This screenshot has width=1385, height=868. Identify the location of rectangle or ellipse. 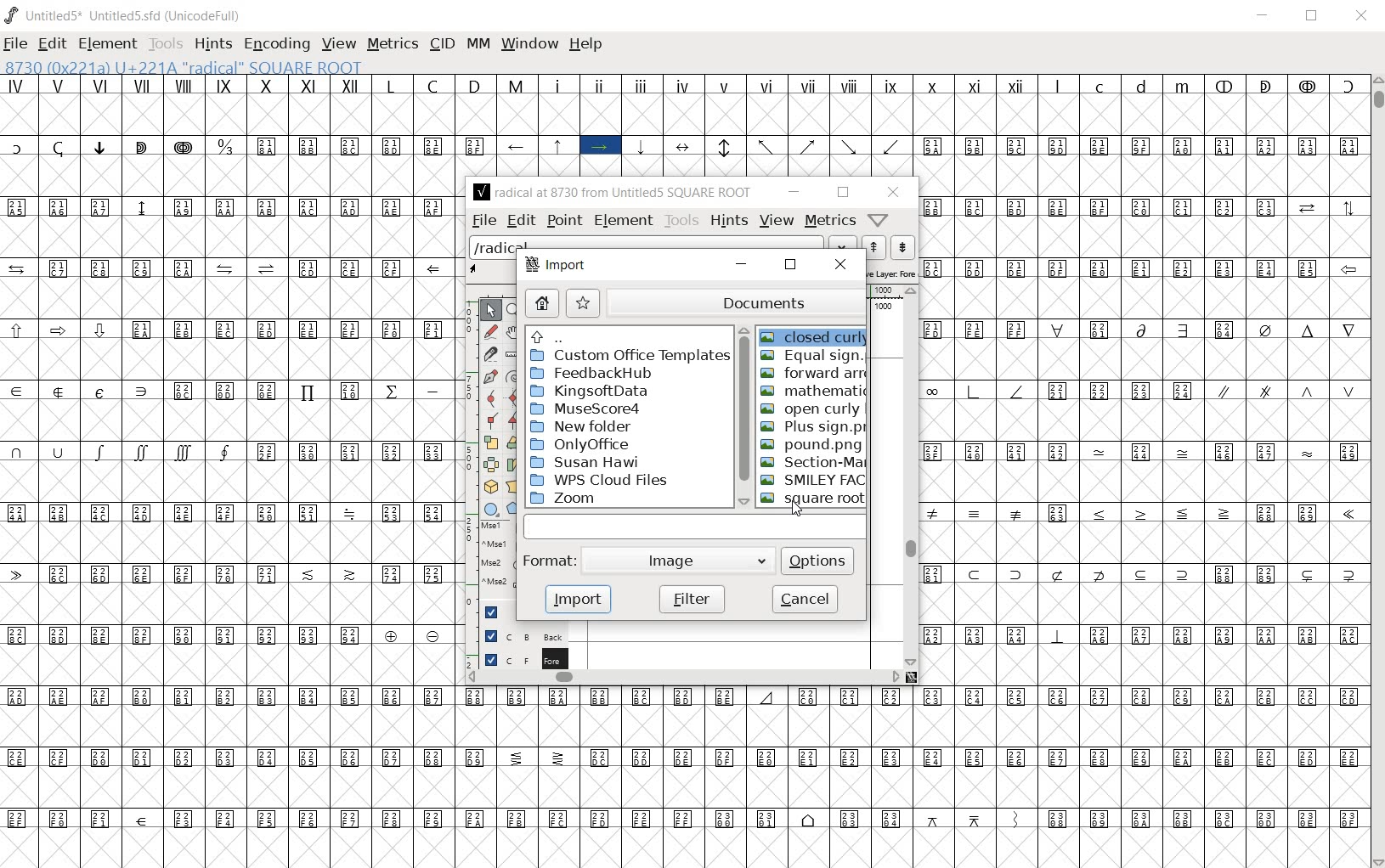
(490, 509).